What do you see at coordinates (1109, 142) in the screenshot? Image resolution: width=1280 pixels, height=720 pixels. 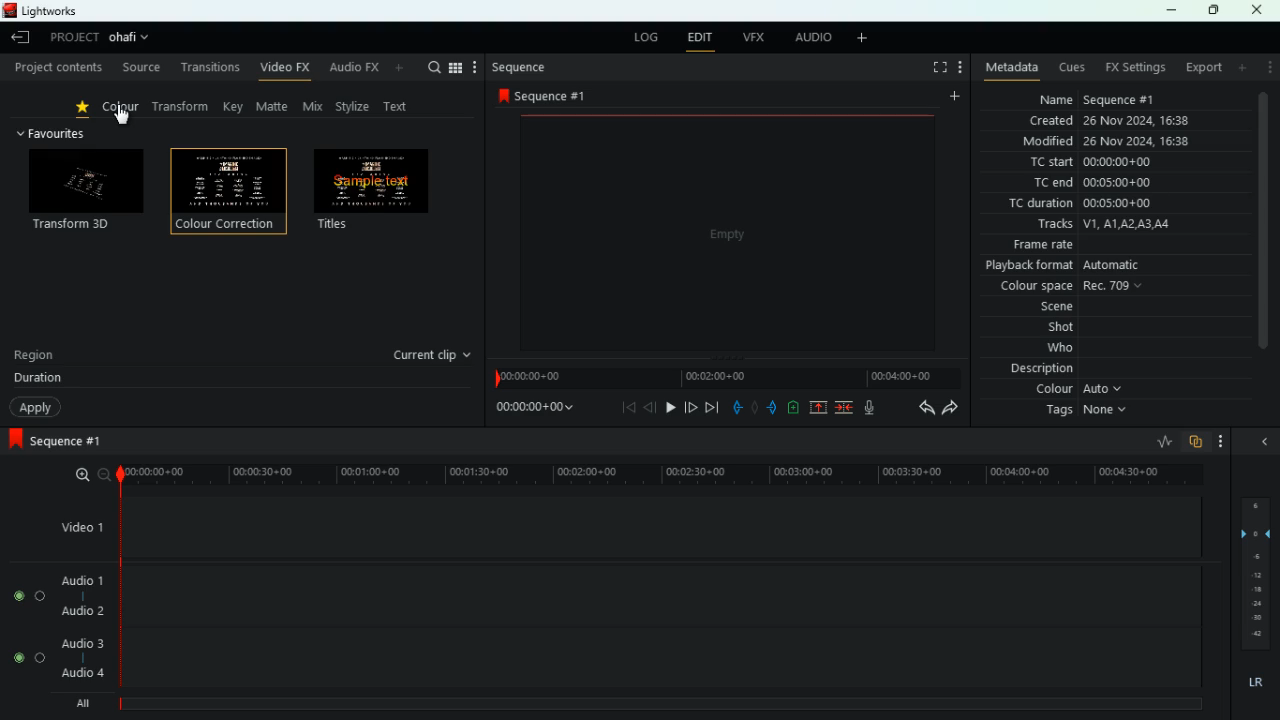 I see `modified` at bounding box center [1109, 142].